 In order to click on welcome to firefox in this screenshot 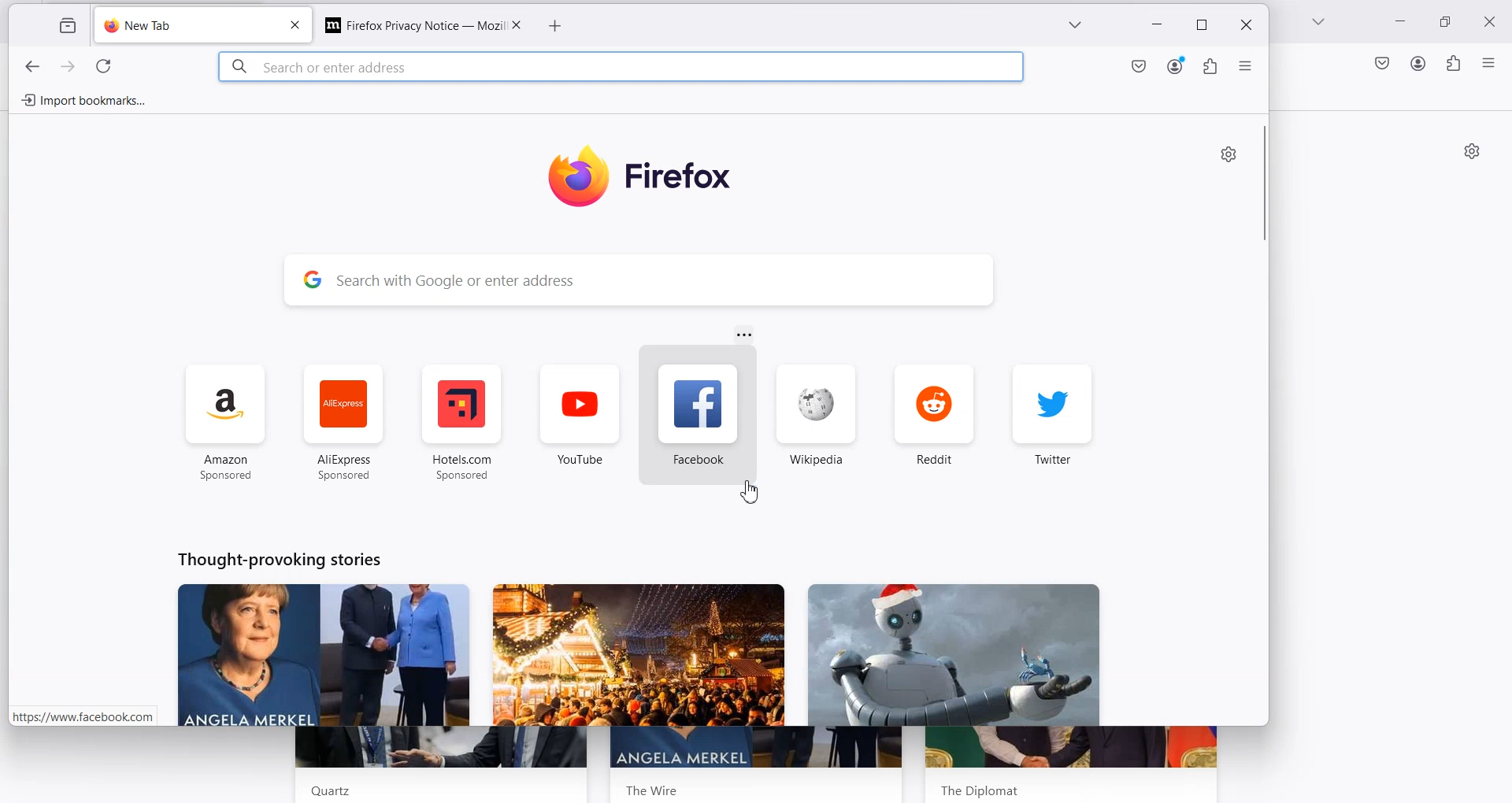, I will do `click(185, 27)`.